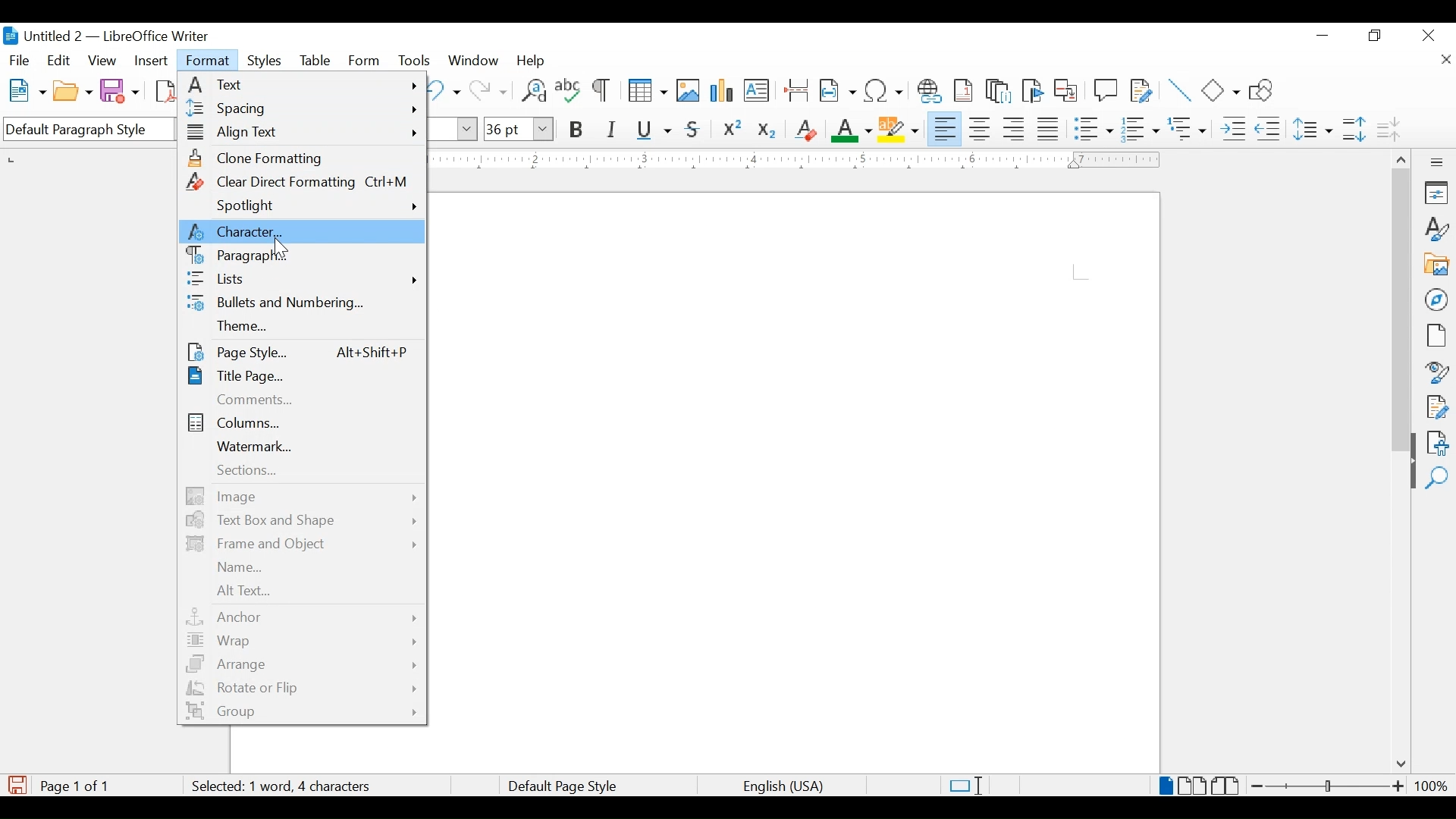 This screenshot has height=819, width=1456. I want to click on check spelling, so click(569, 89).